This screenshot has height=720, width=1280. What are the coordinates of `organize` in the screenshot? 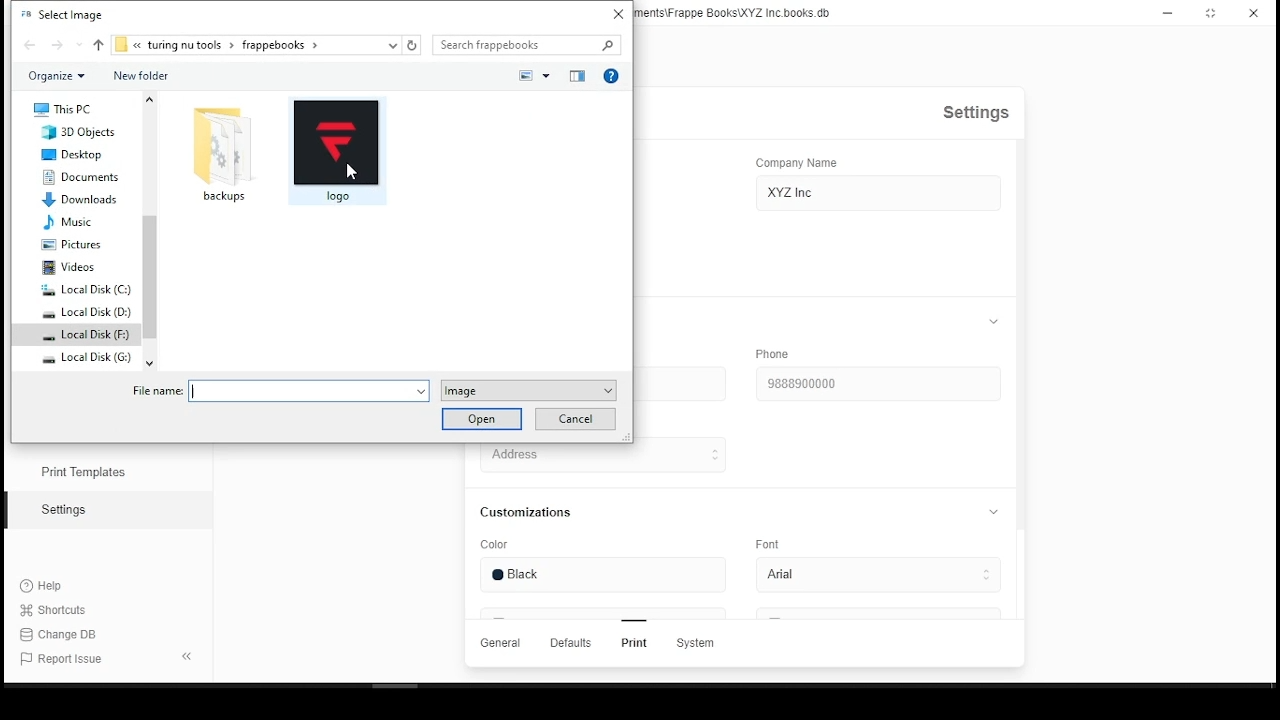 It's located at (54, 76).